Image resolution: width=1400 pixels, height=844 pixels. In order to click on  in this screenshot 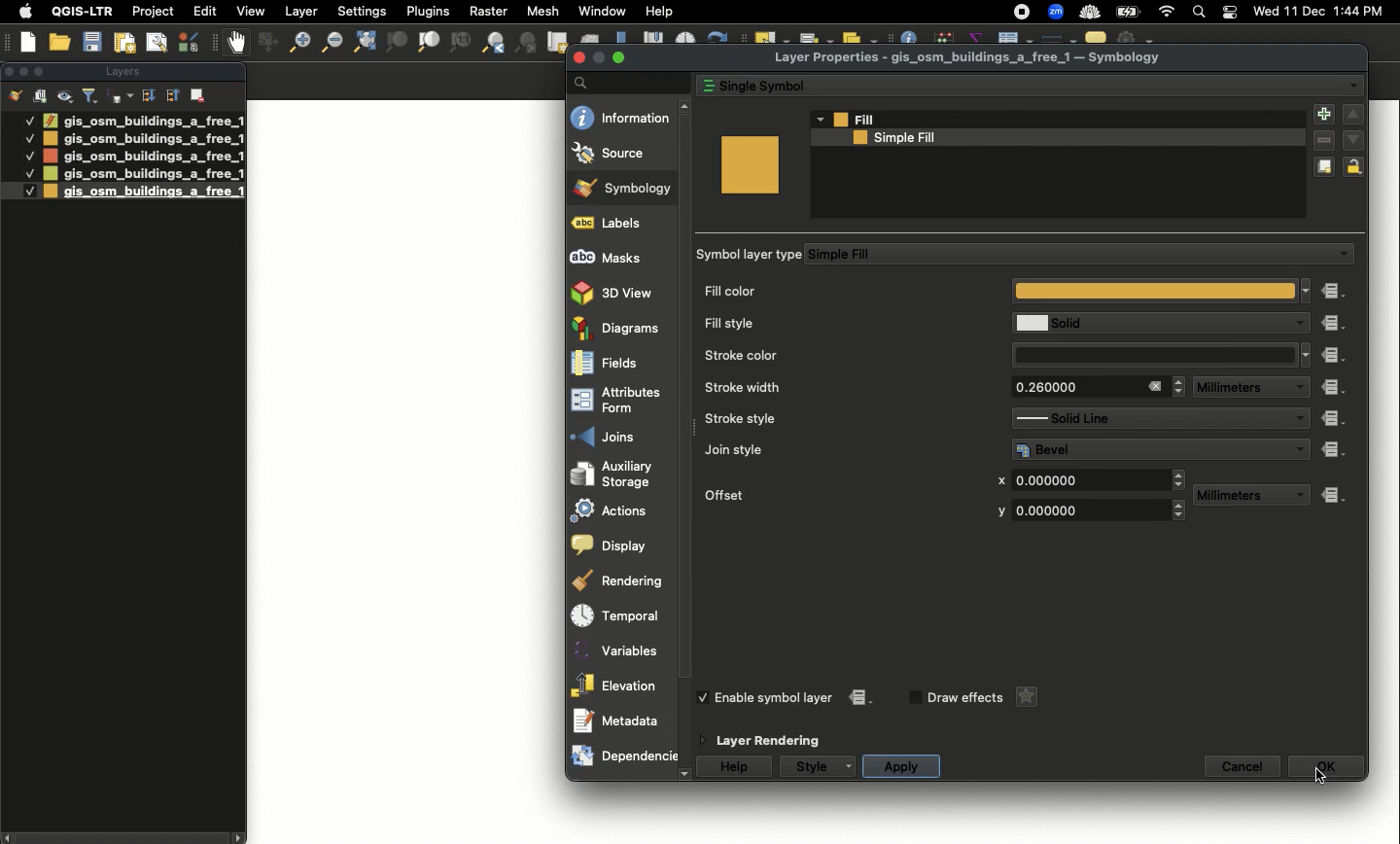, I will do `click(1333, 448)`.